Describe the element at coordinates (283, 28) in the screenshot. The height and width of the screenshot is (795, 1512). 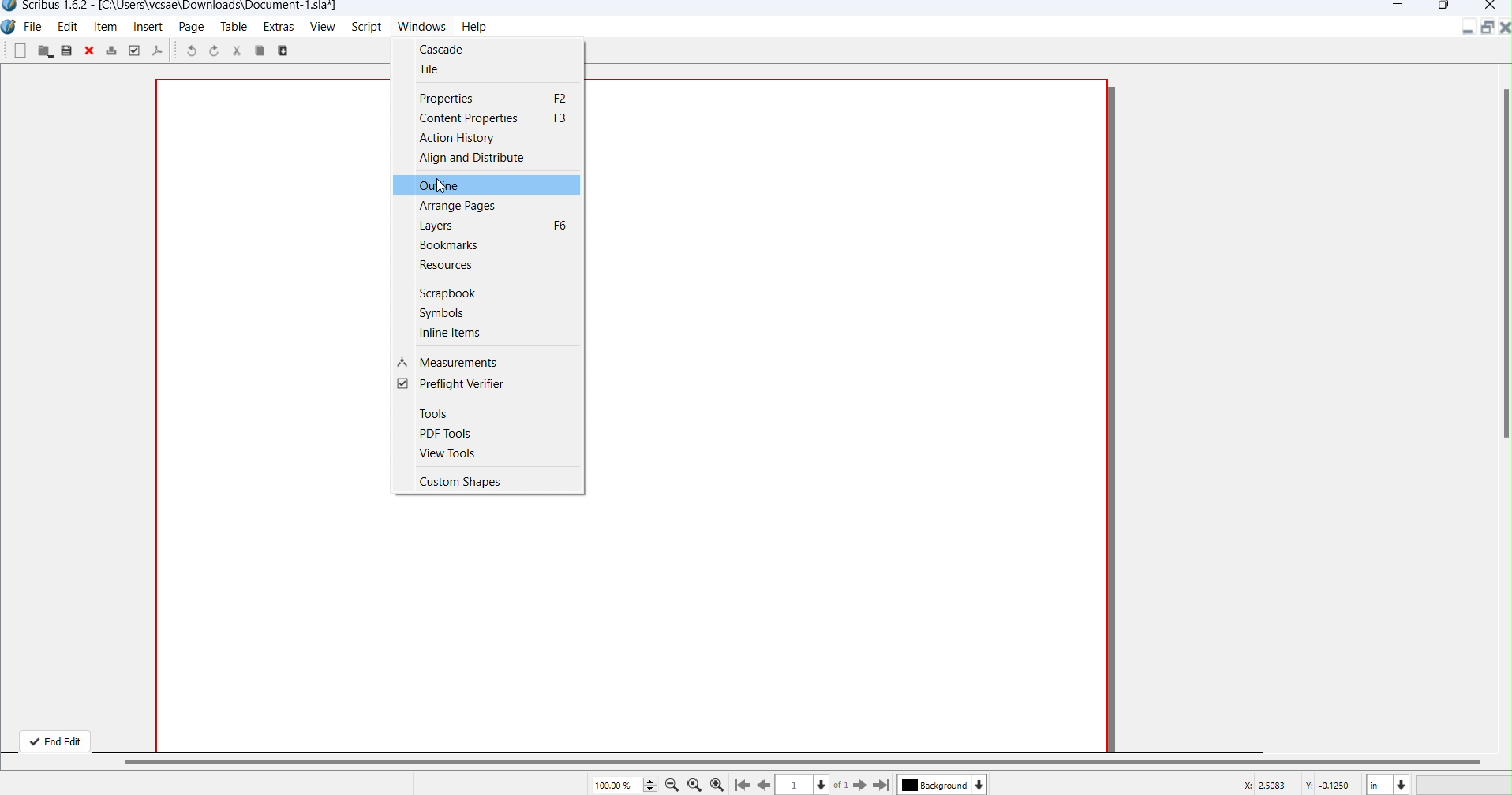
I see `` at that location.